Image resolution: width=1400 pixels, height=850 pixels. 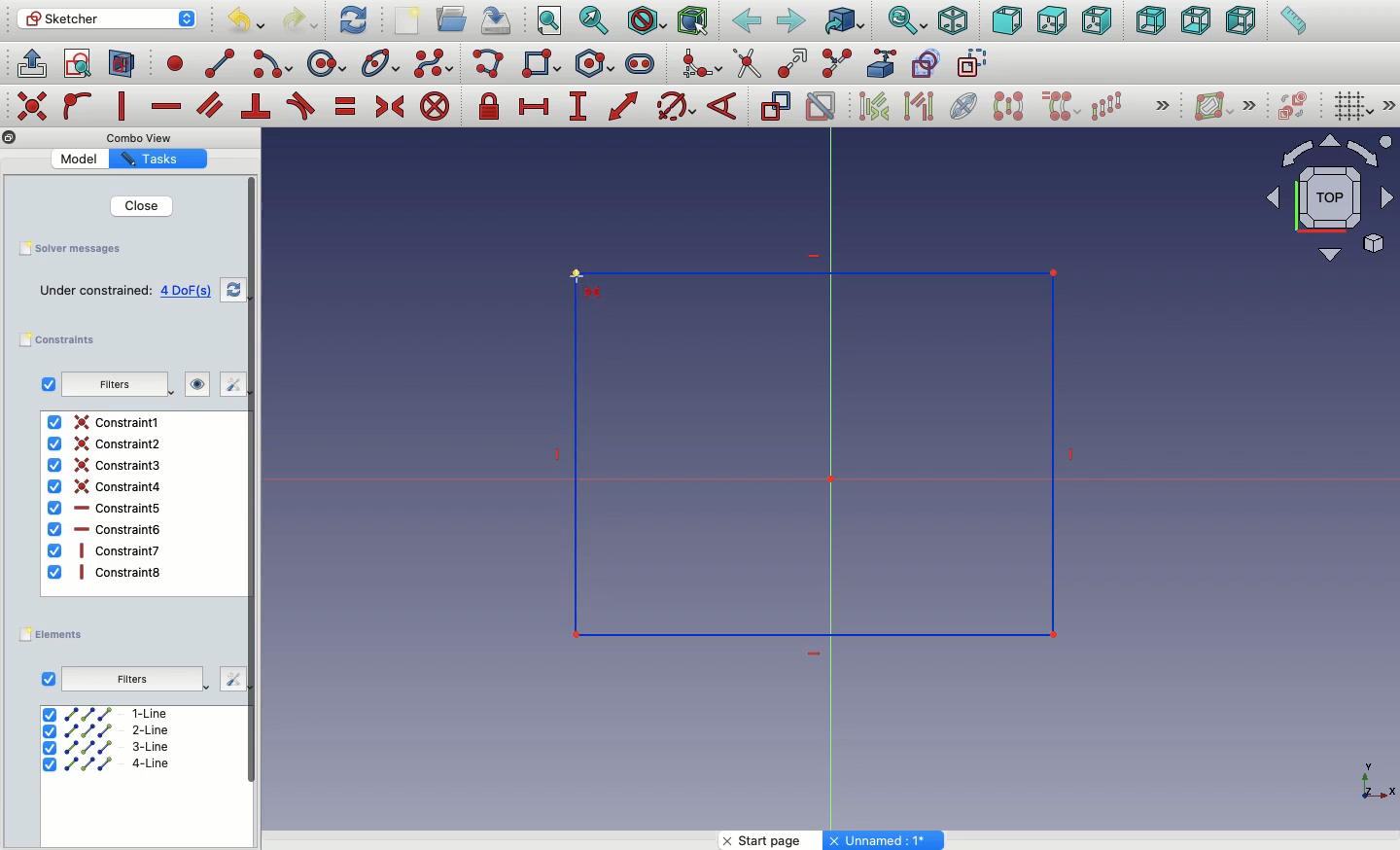 I want to click on Refresh, so click(x=353, y=18).